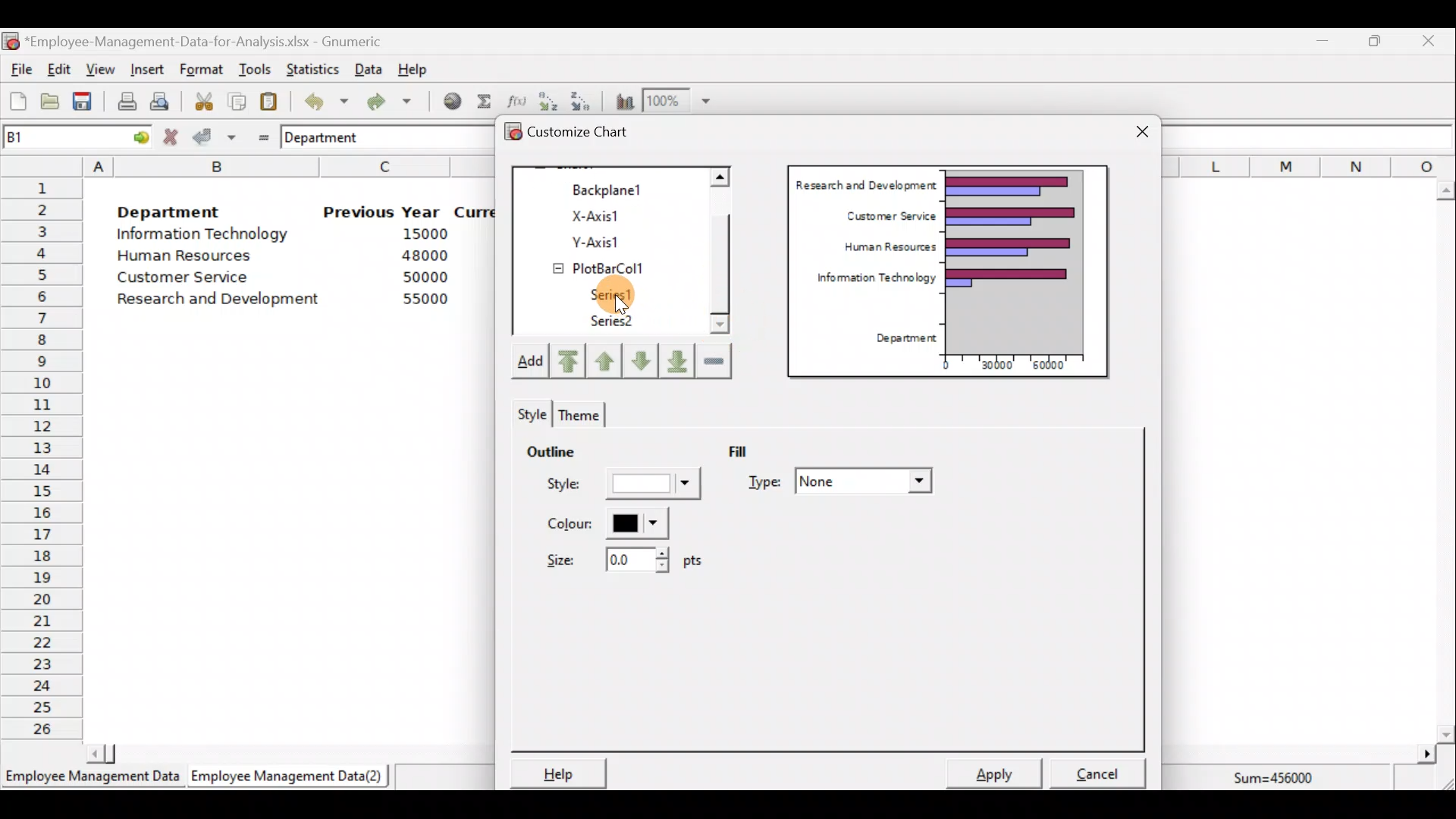 Image resolution: width=1456 pixels, height=819 pixels. What do you see at coordinates (1319, 44) in the screenshot?
I see `Minimize` at bounding box center [1319, 44].